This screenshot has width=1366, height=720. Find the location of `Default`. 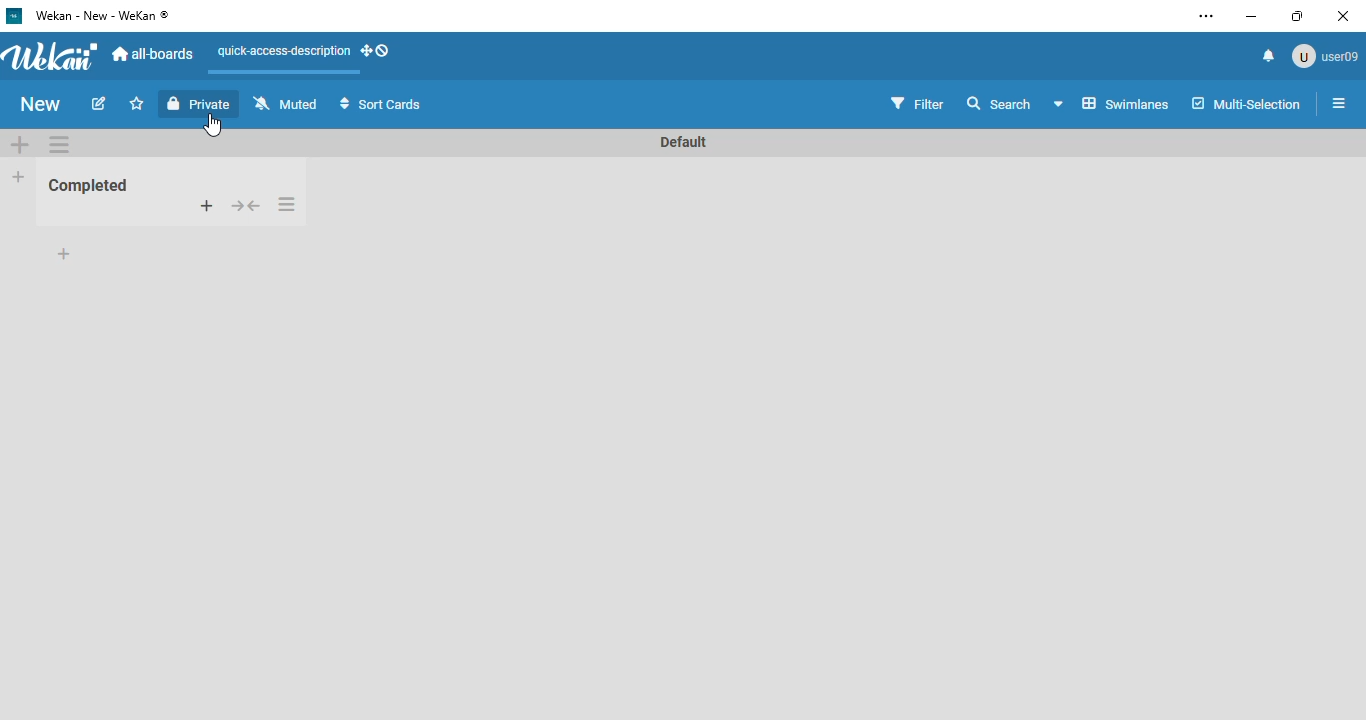

Default is located at coordinates (681, 140).